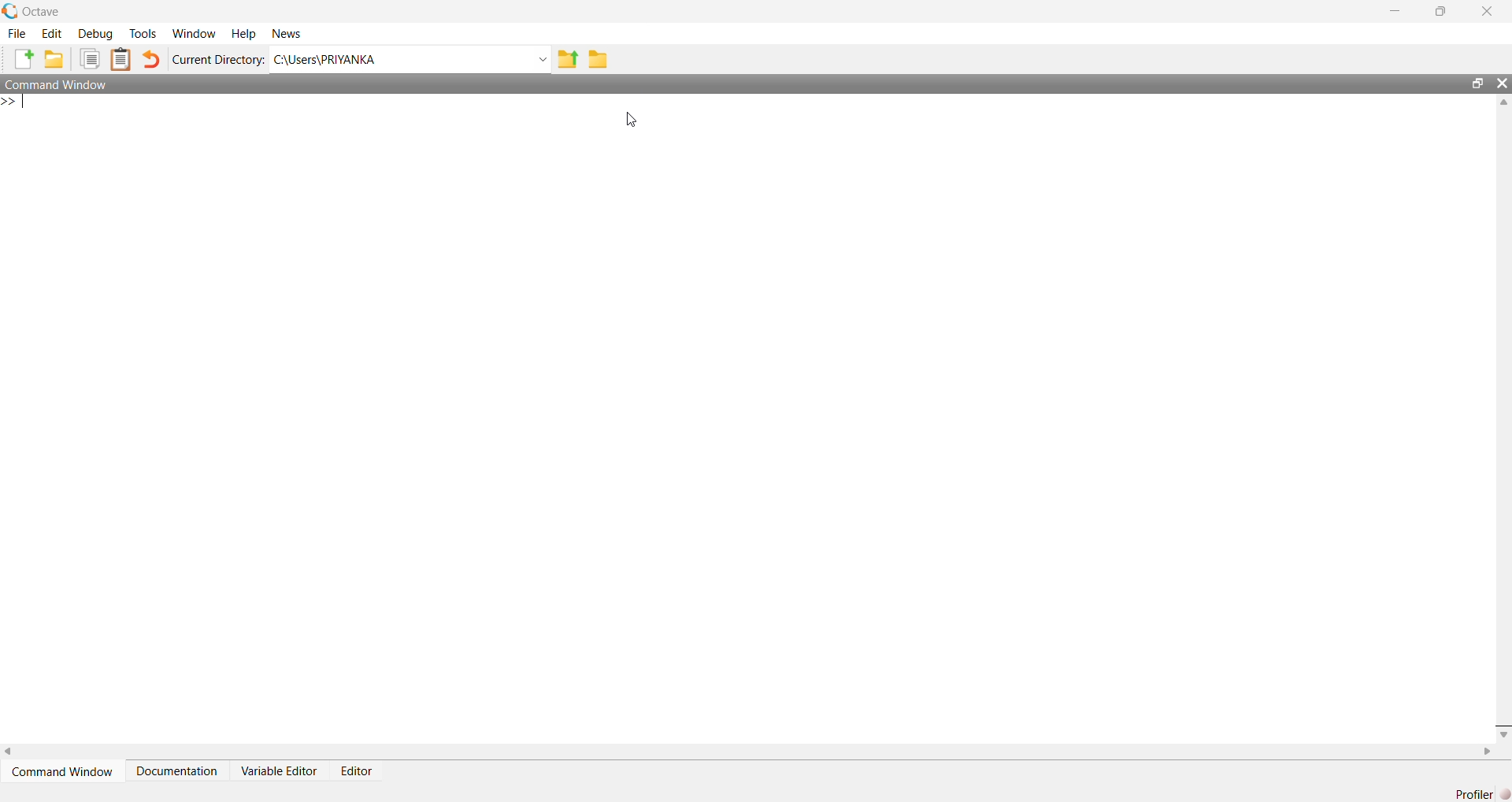 This screenshot has width=1512, height=802. What do you see at coordinates (1503, 736) in the screenshot?
I see `Down Scroll` at bounding box center [1503, 736].